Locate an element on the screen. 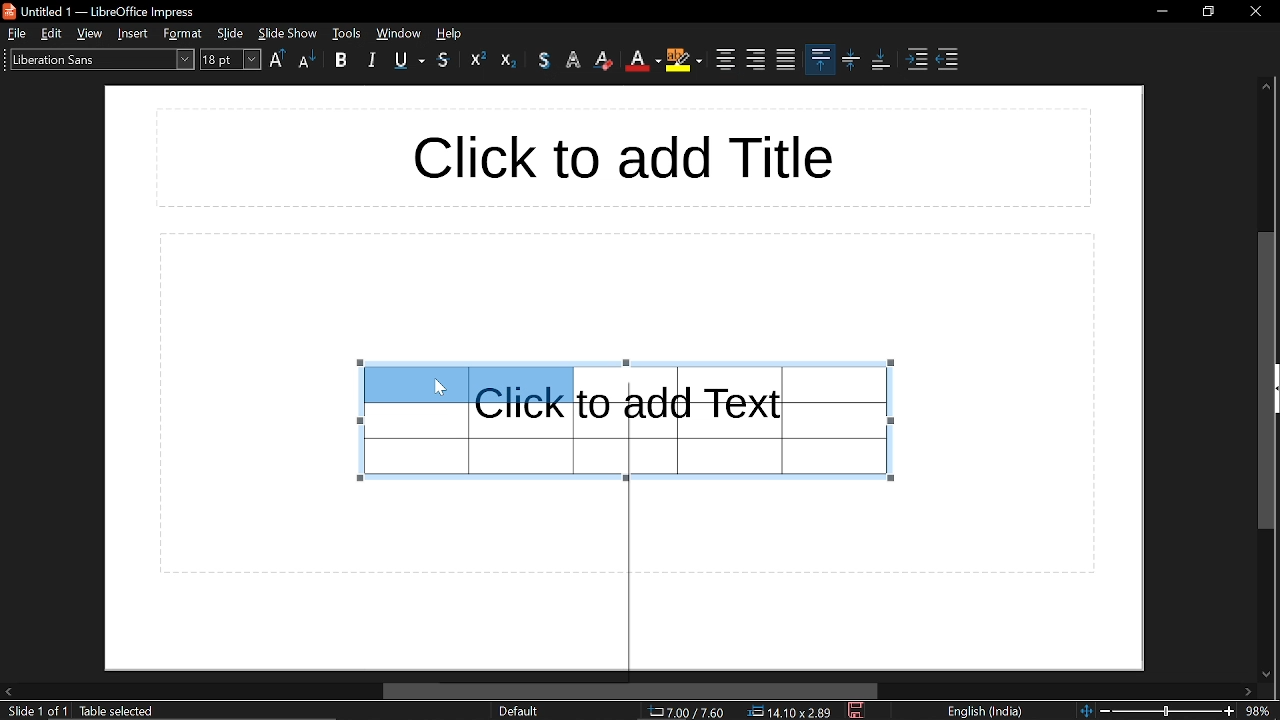  move up is located at coordinates (1266, 89).